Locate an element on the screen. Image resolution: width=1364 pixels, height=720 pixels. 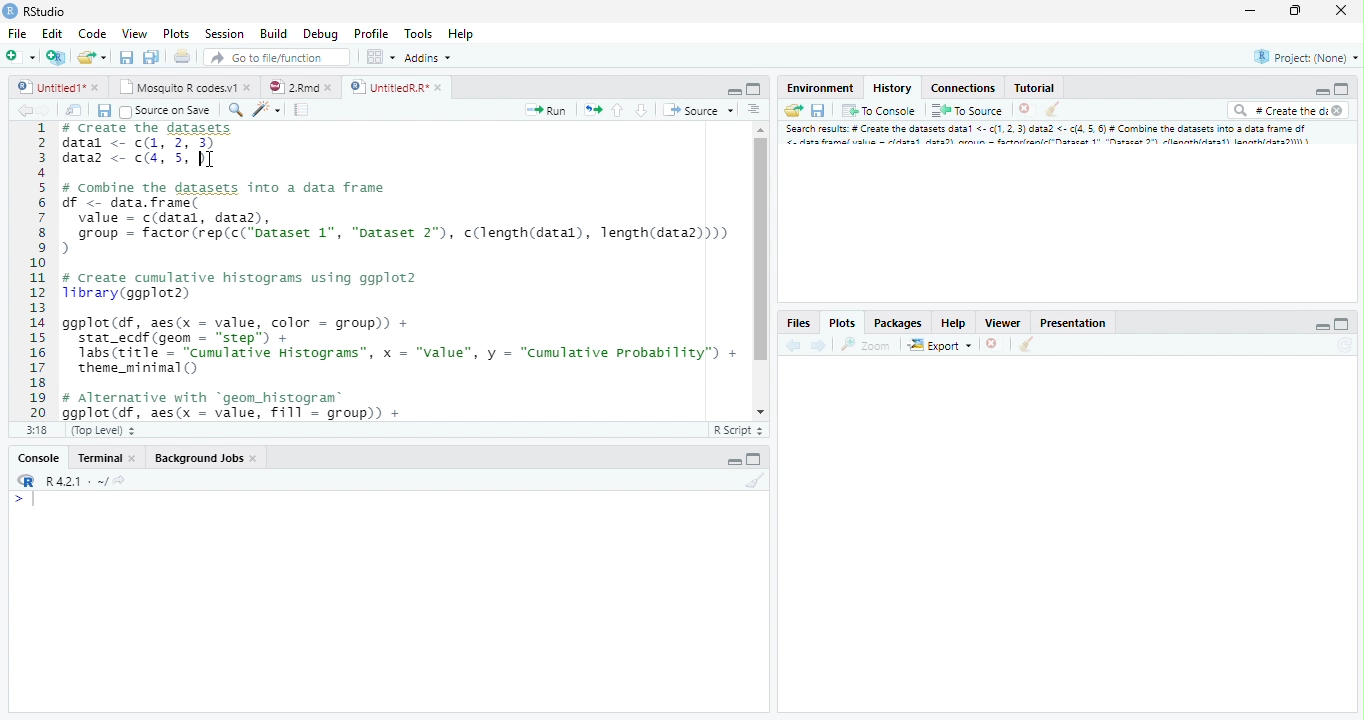
Show in the new window is located at coordinates (72, 110).